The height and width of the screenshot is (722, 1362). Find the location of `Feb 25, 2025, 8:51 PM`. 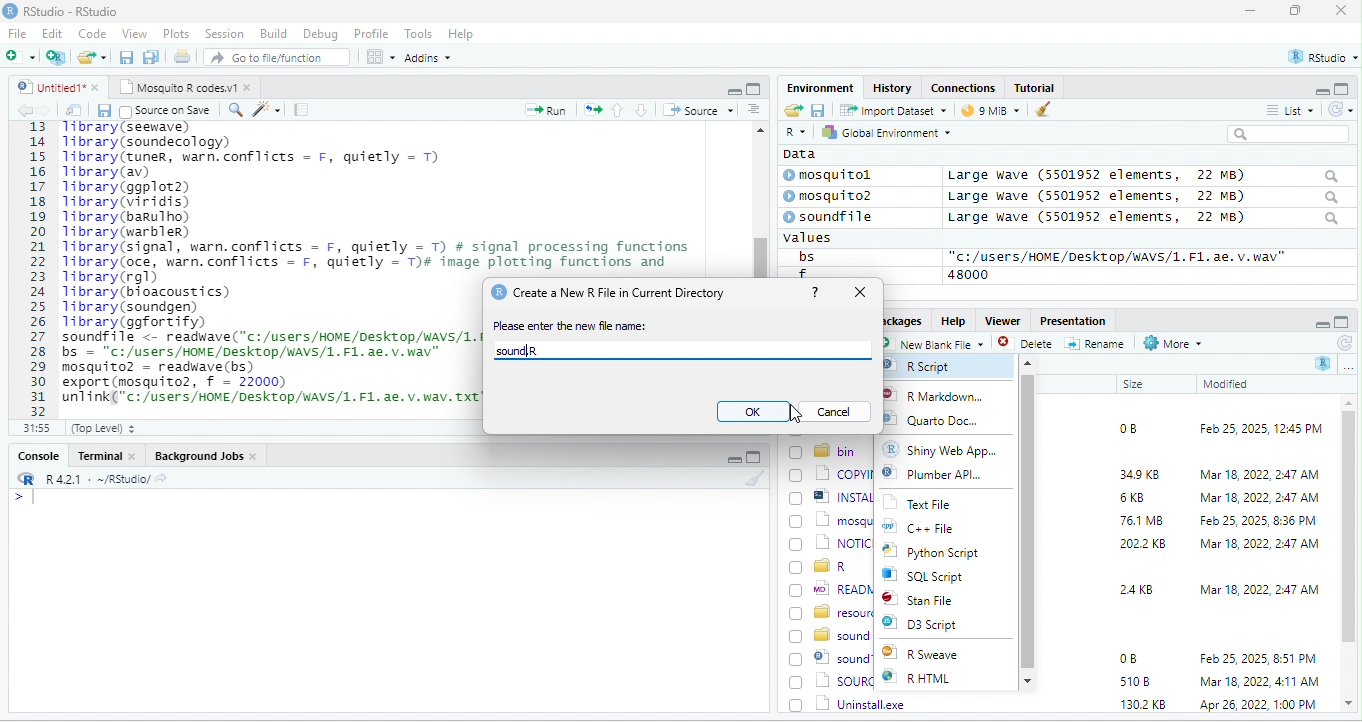

Feb 25, 2025, 8:51 PM is located at coordinates (1259, 659).